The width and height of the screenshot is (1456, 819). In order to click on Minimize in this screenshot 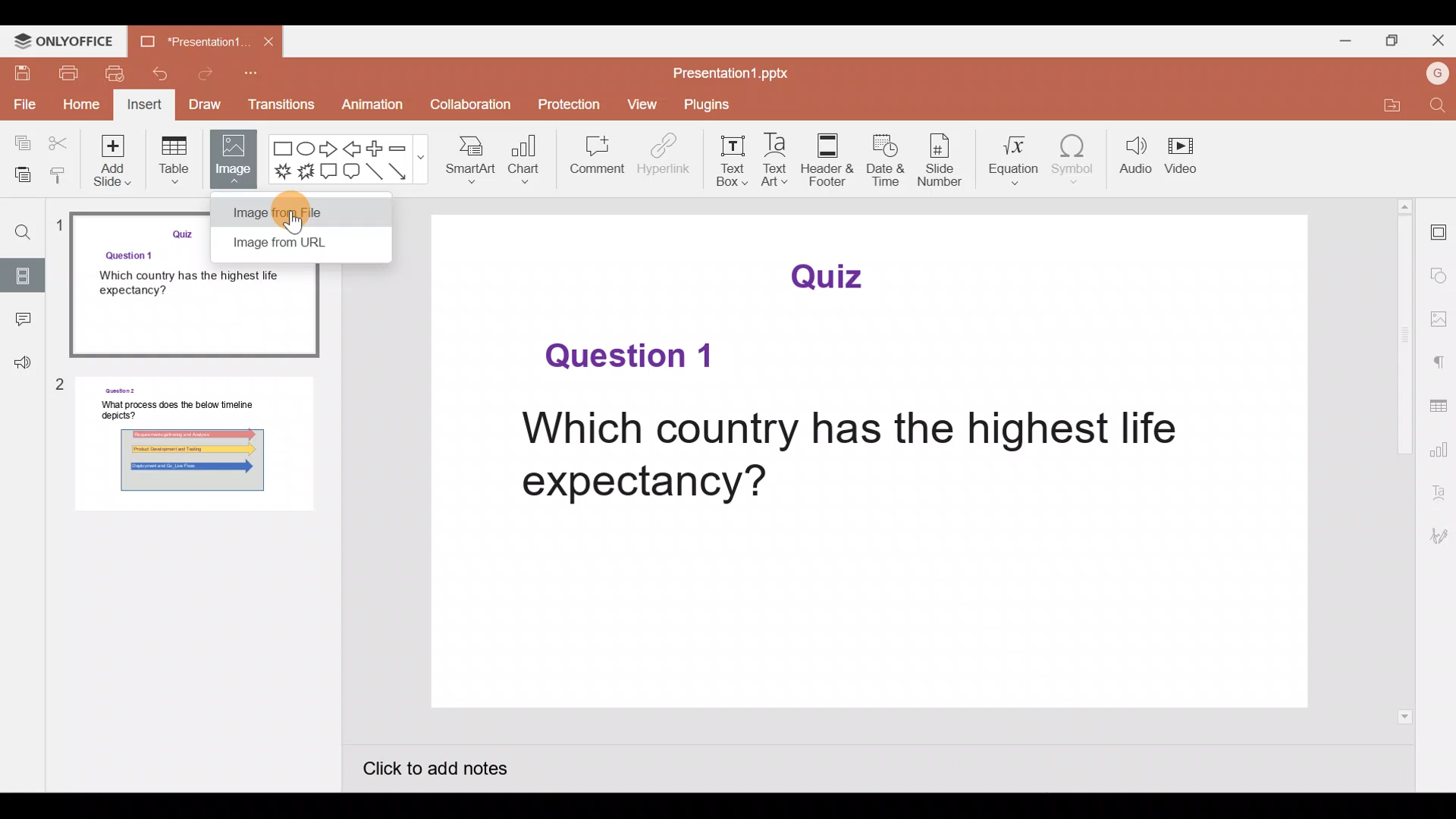, I will do `click(1342, 39)`.